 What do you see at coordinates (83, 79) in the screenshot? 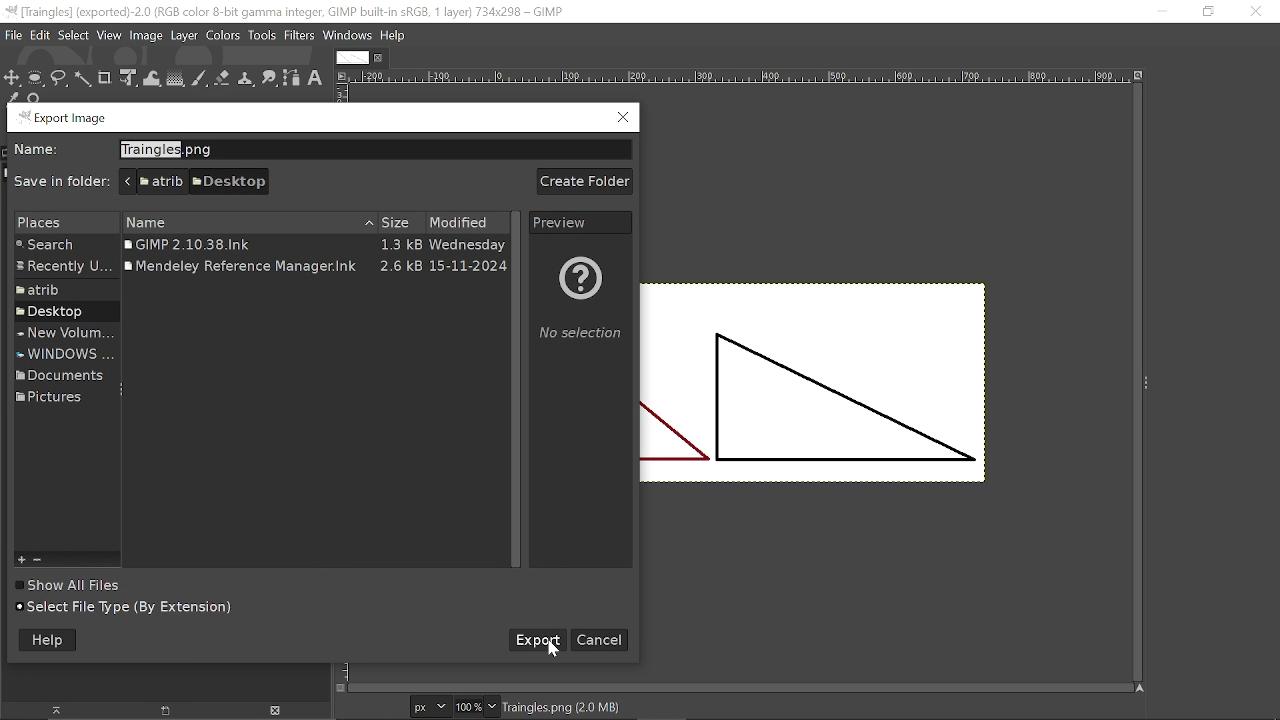
I see `fuzzy select tool` at bounding box center [83, 79].